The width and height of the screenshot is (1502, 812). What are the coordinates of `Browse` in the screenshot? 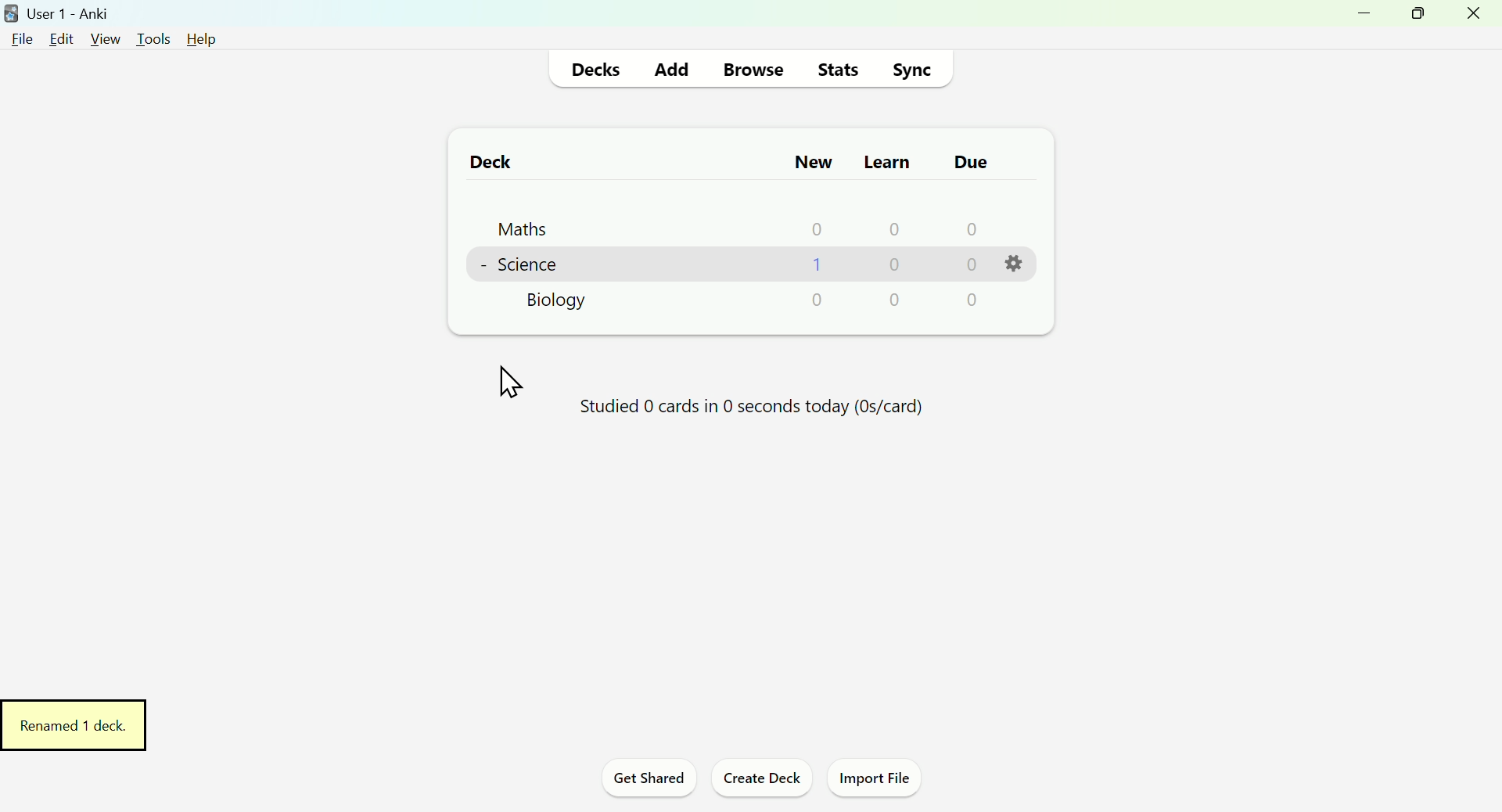 It's located at (751, 67).